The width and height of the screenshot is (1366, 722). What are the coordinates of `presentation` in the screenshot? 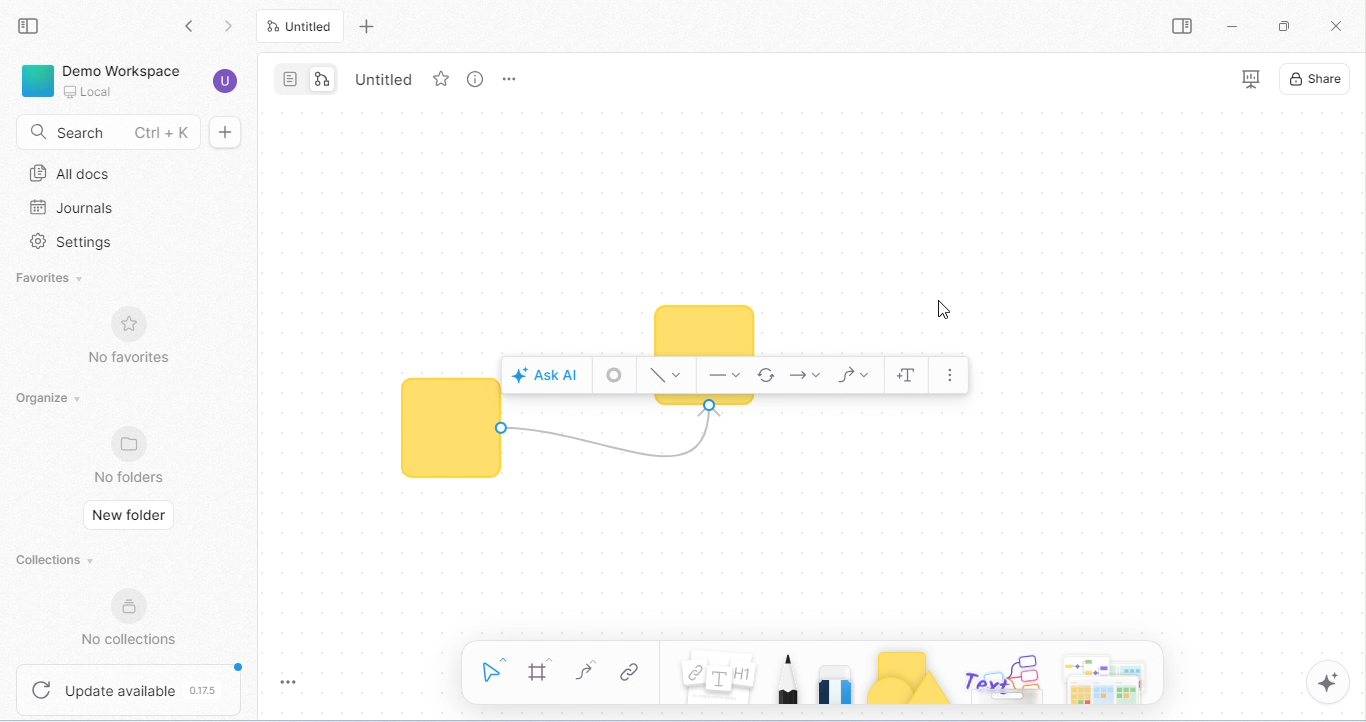 It's located at (1252, 80).